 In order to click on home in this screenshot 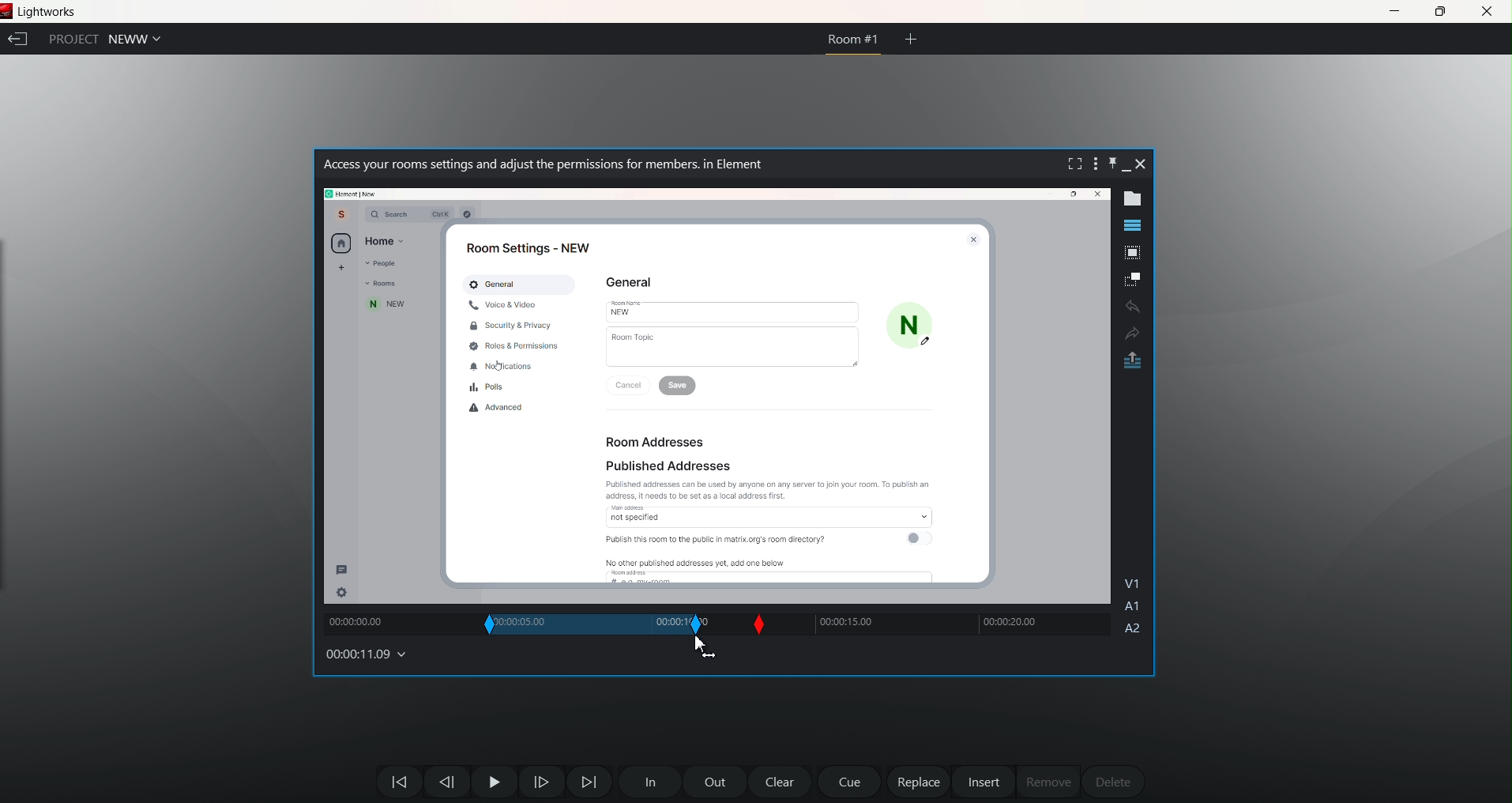, I will do `click(340, 243)`.